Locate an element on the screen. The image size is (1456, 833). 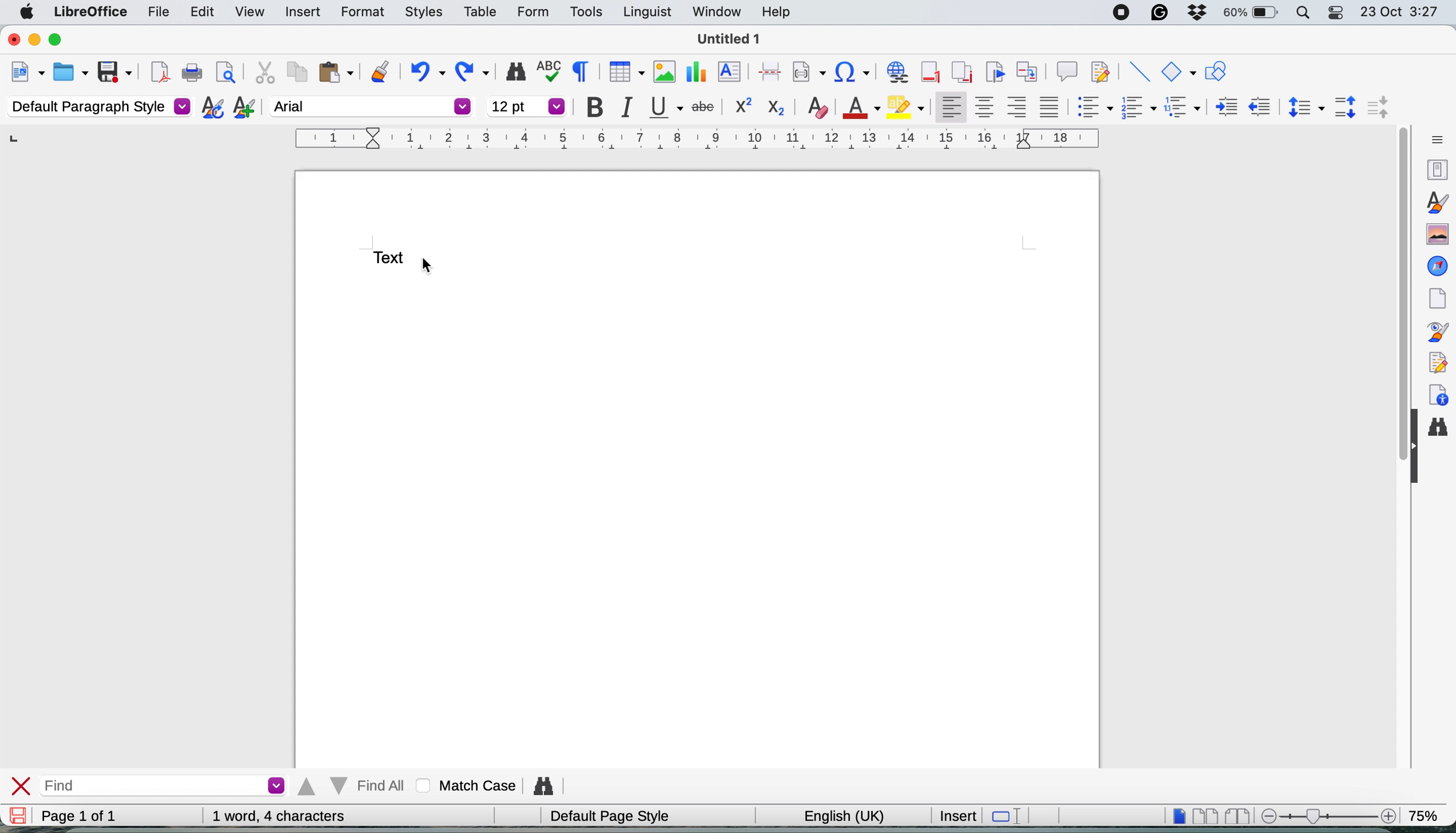
vertical scroll bar is located at coordinates (1398, 265).